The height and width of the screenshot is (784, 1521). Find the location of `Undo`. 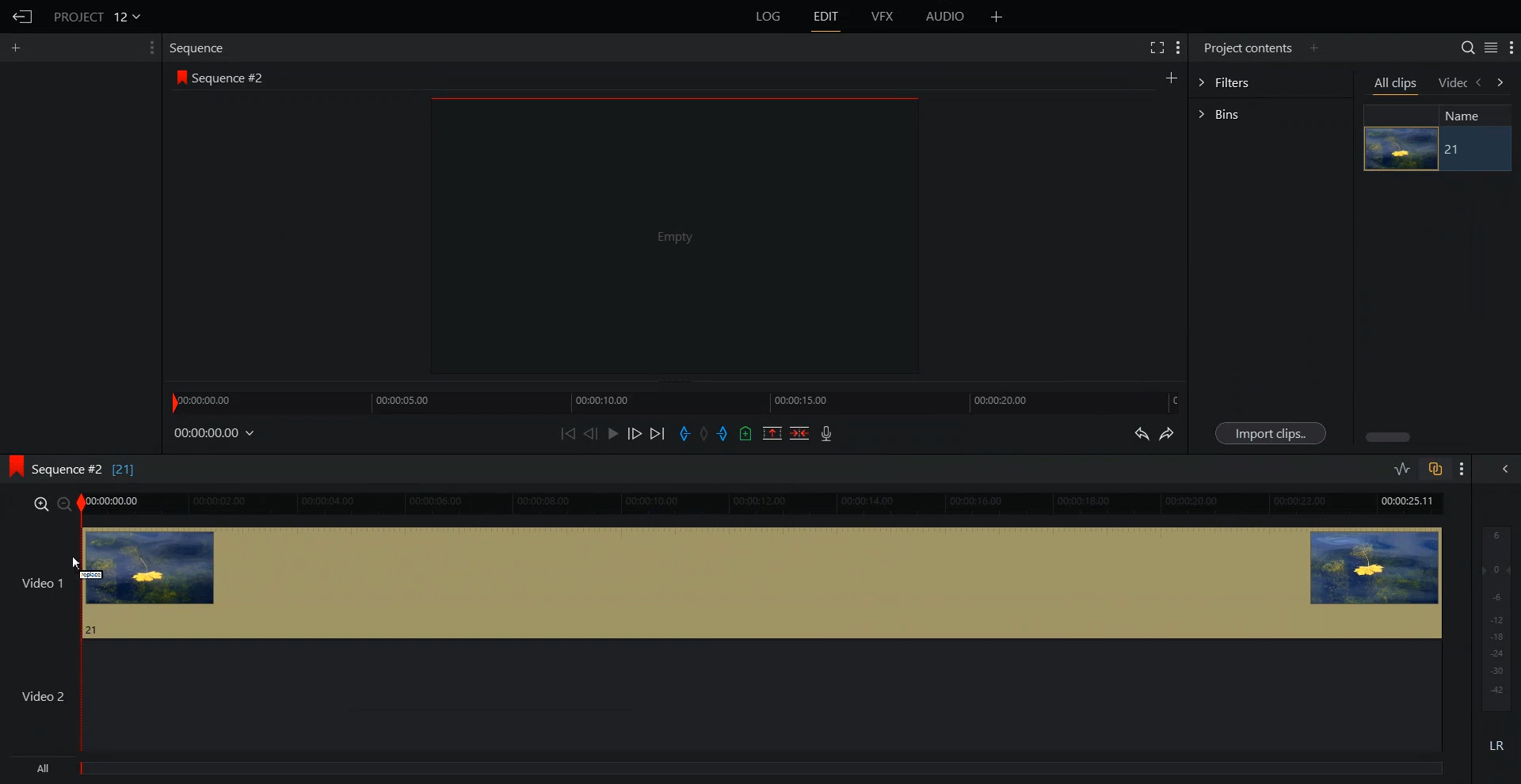

Undo is located at coordinates (1142, 433).